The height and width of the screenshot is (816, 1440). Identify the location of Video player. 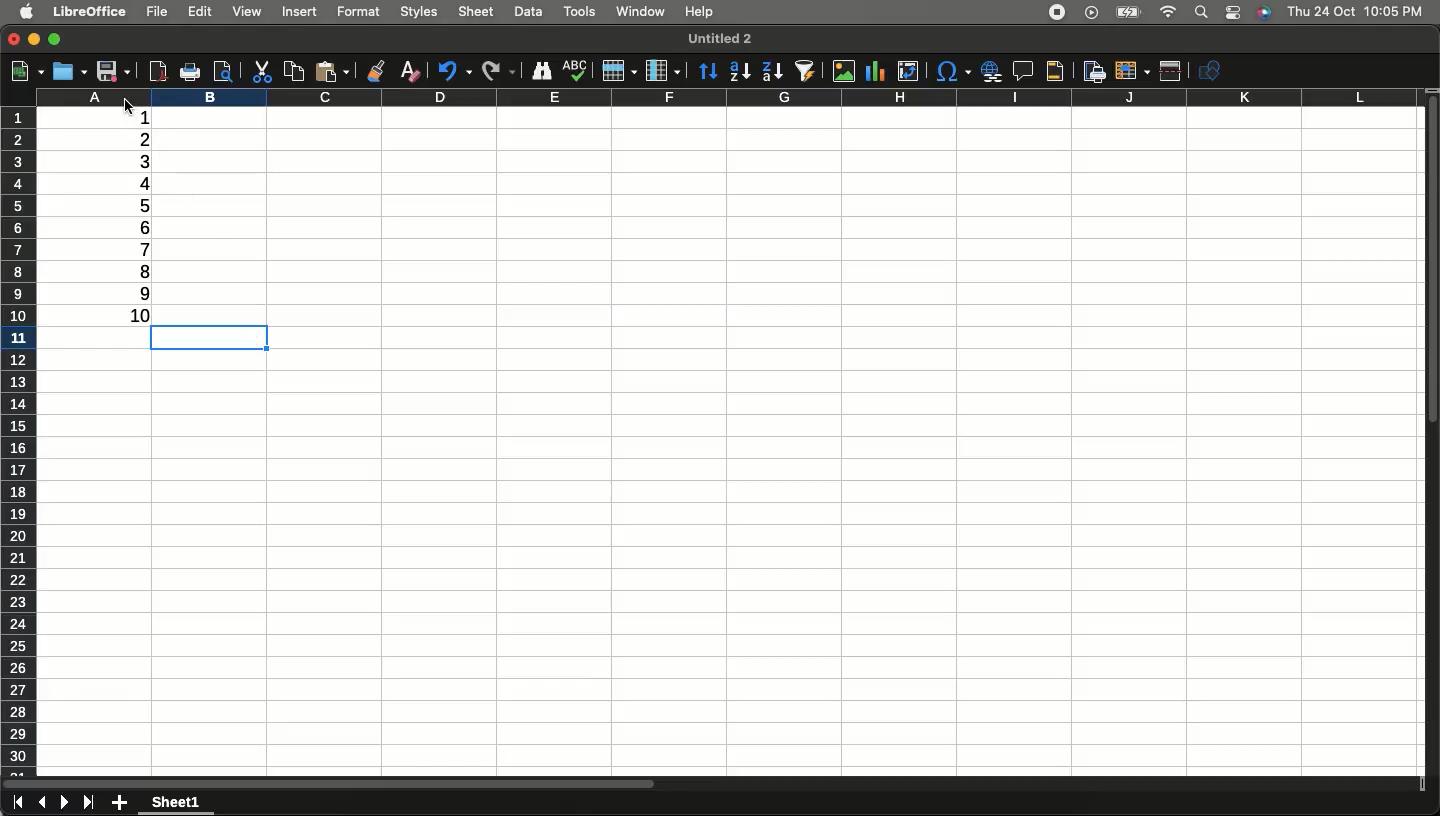
(1089, 12).